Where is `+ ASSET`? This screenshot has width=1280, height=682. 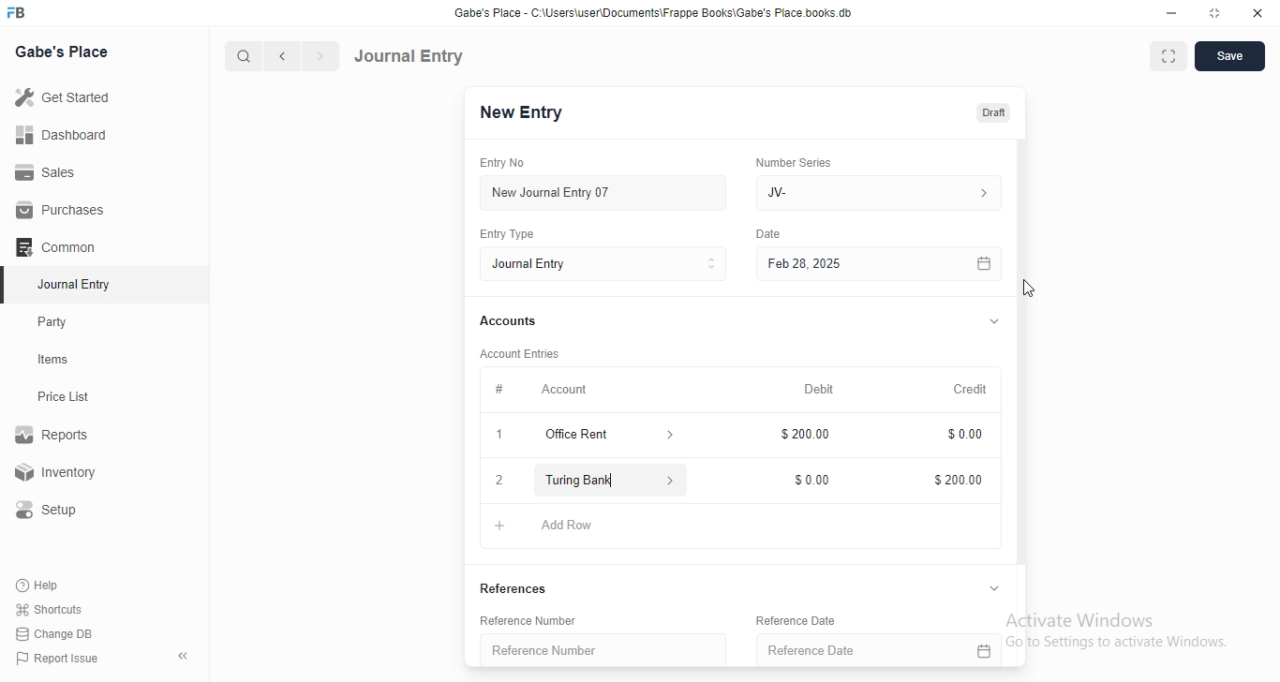 + ASSET is located at coordinates (569, 528).